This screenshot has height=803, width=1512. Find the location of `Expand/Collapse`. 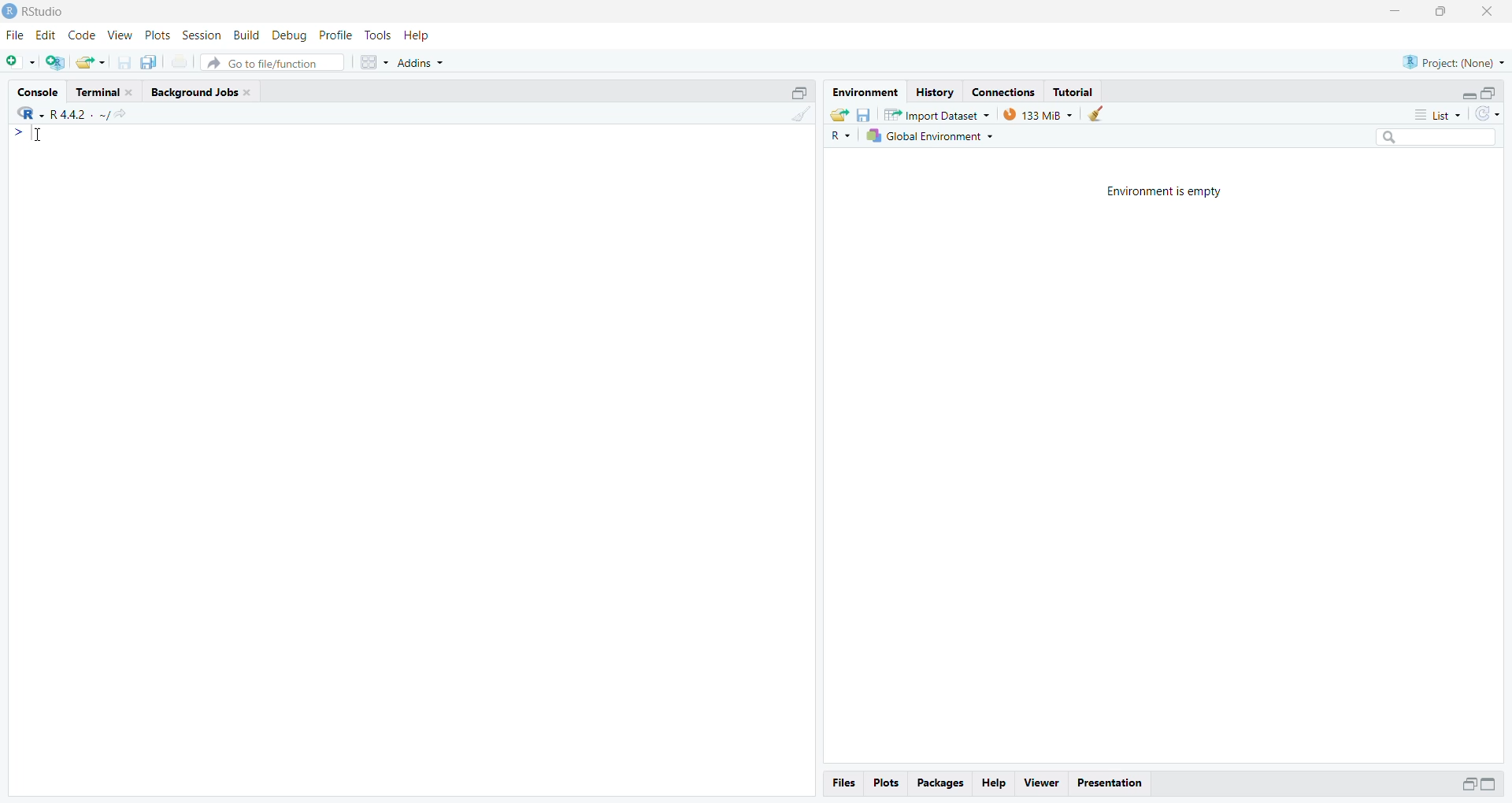

Expand/Collapse is located at coordinates (1466, 96).